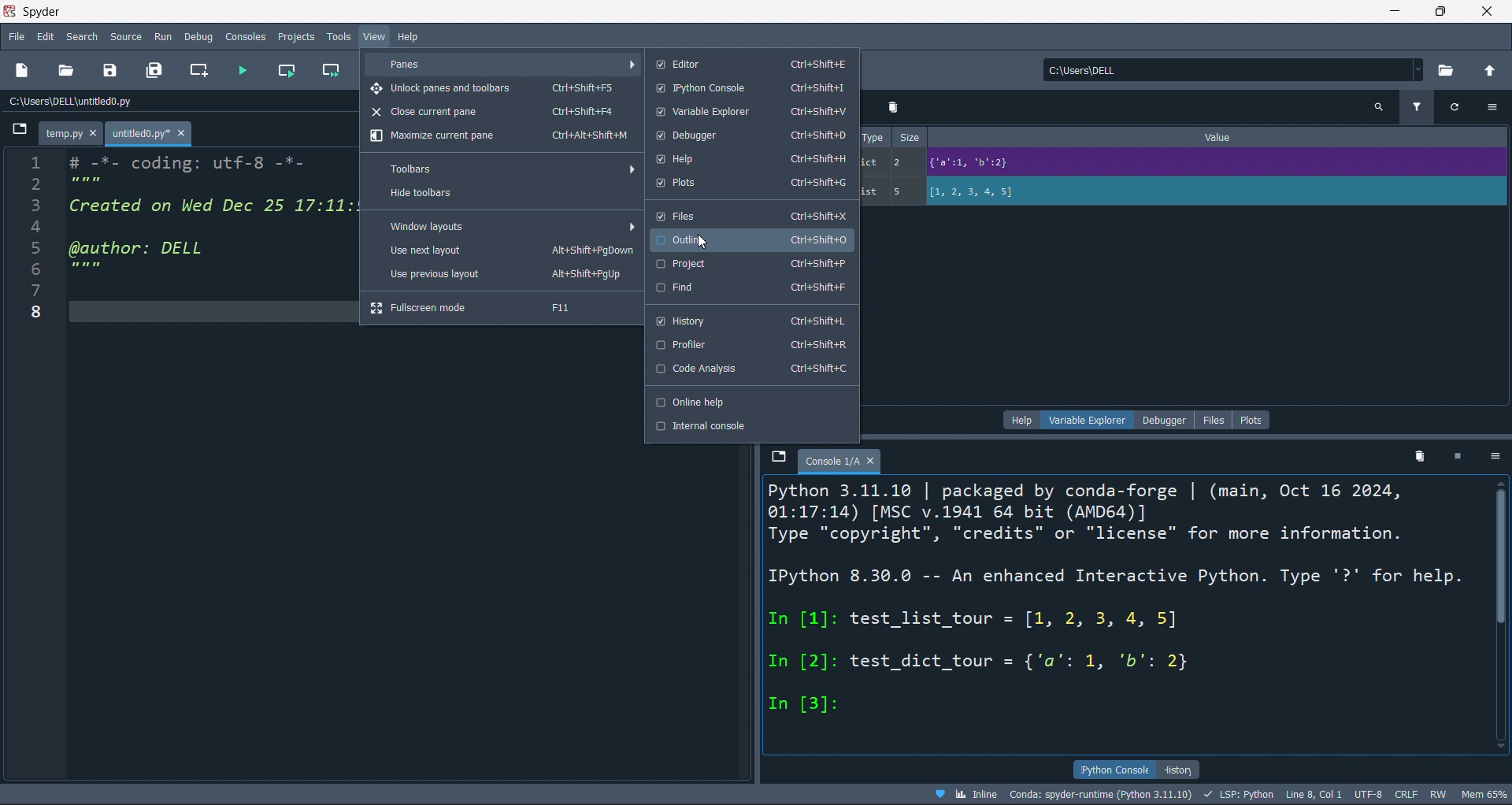 The height and width of the screenshot is (805, 1512). I want to click on toolbars, so click(502, 169).